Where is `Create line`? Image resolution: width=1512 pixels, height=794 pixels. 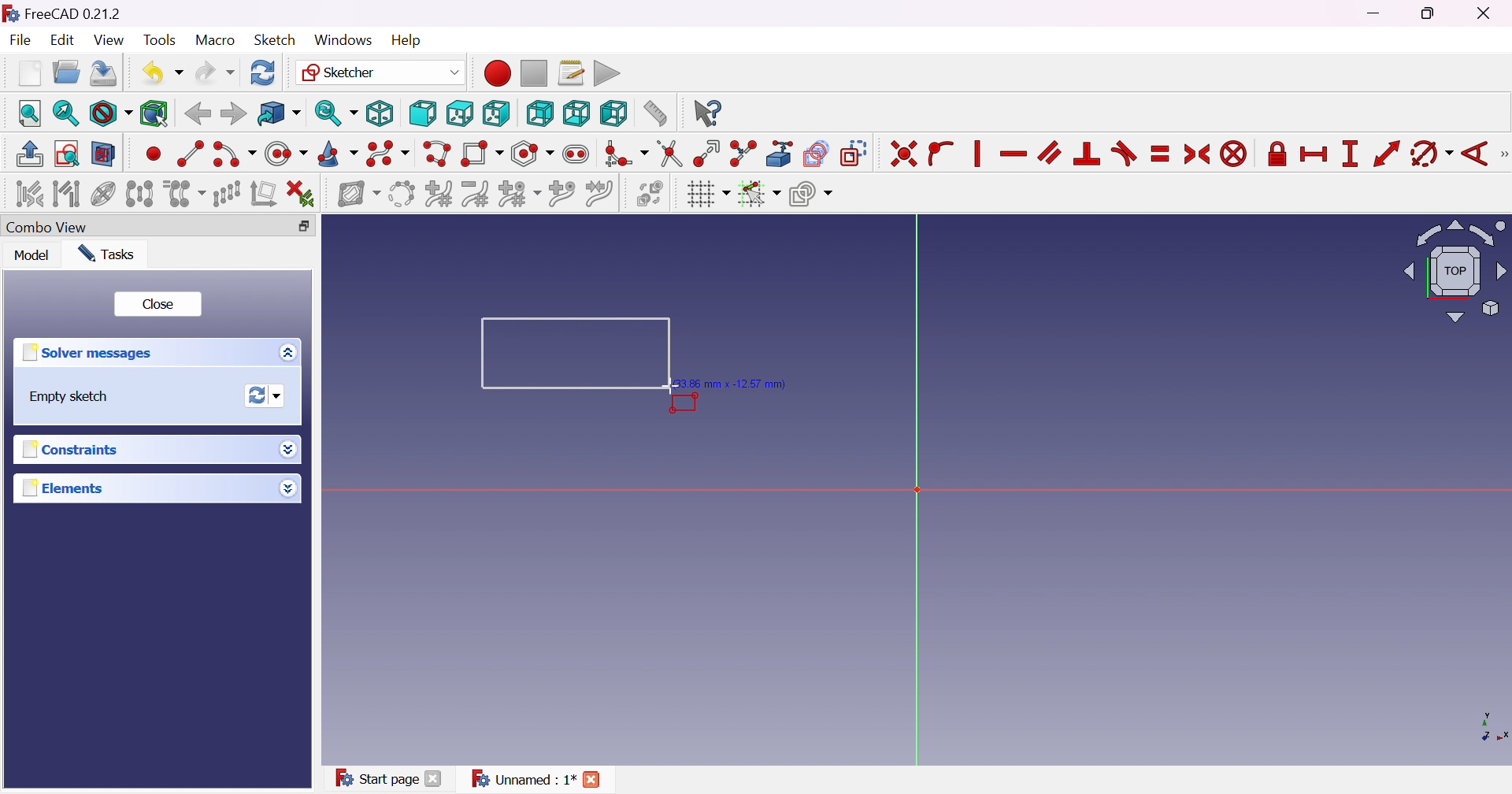 Create line is located at coordinates (189, 152).